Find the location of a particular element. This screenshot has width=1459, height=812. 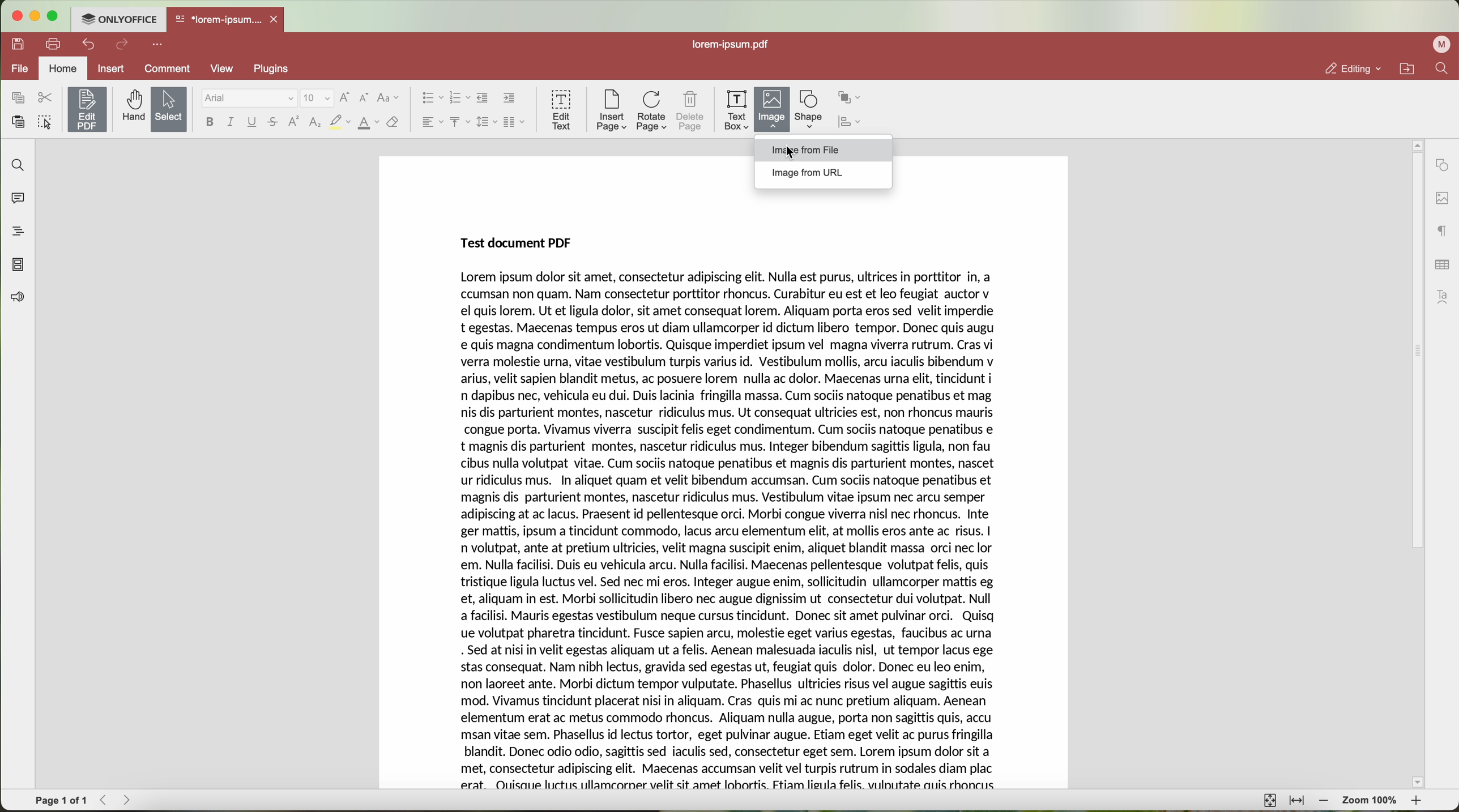

insert page is located at coordinates (611, 110).